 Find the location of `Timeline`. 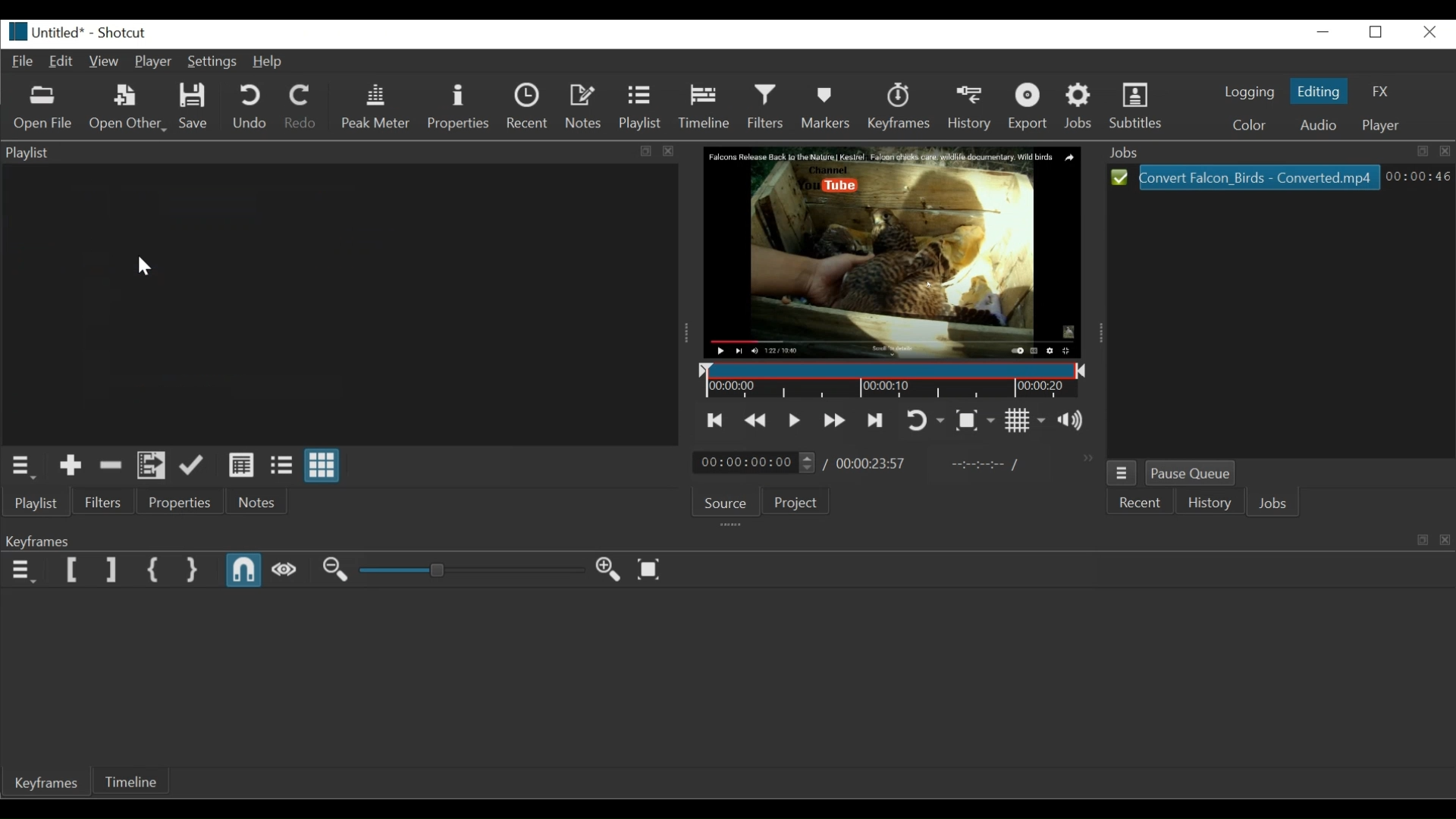

Timeline is located at coordinates (706, 108).